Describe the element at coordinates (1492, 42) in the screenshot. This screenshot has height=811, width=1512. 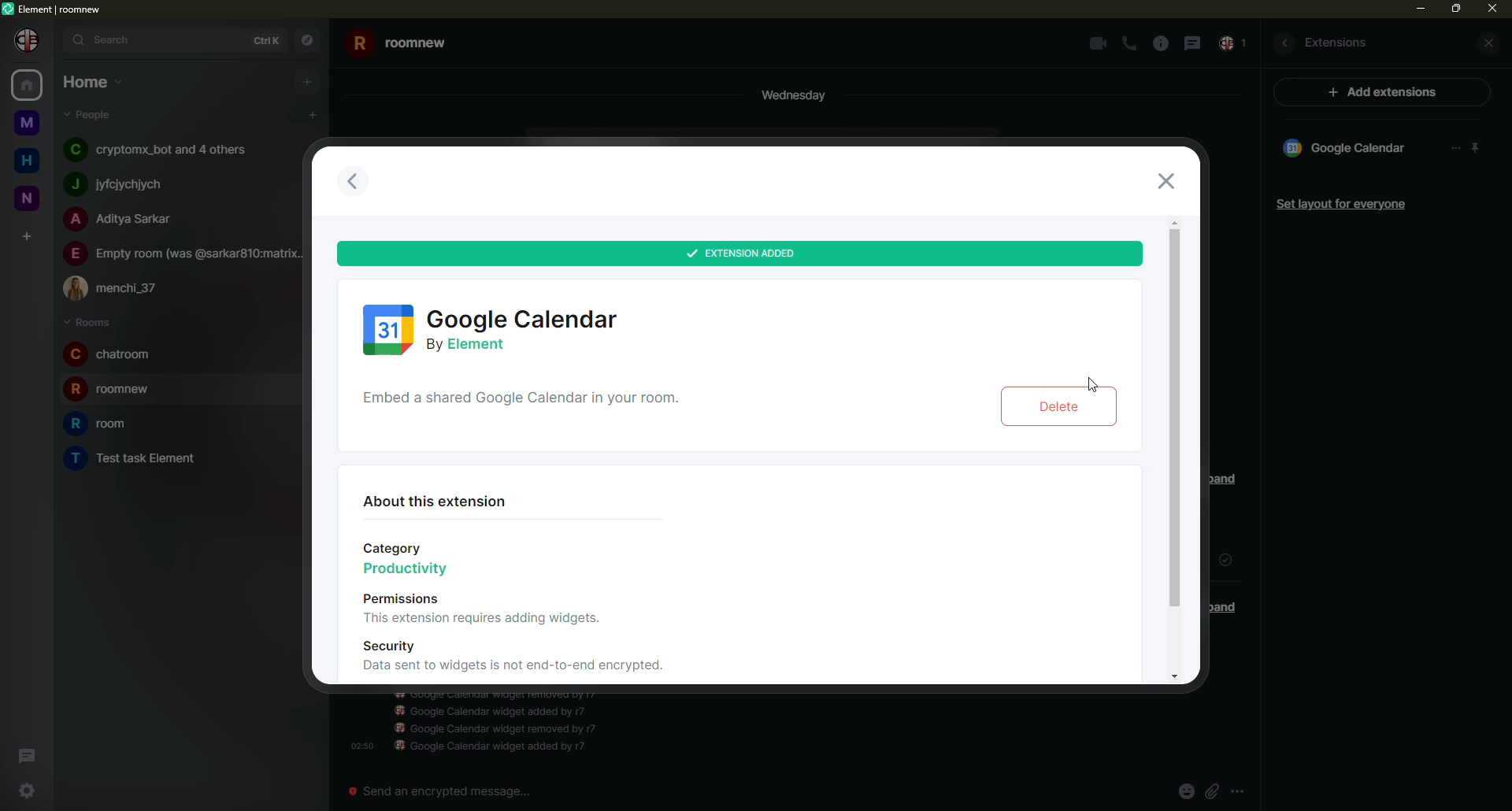
I see `close` at that location.